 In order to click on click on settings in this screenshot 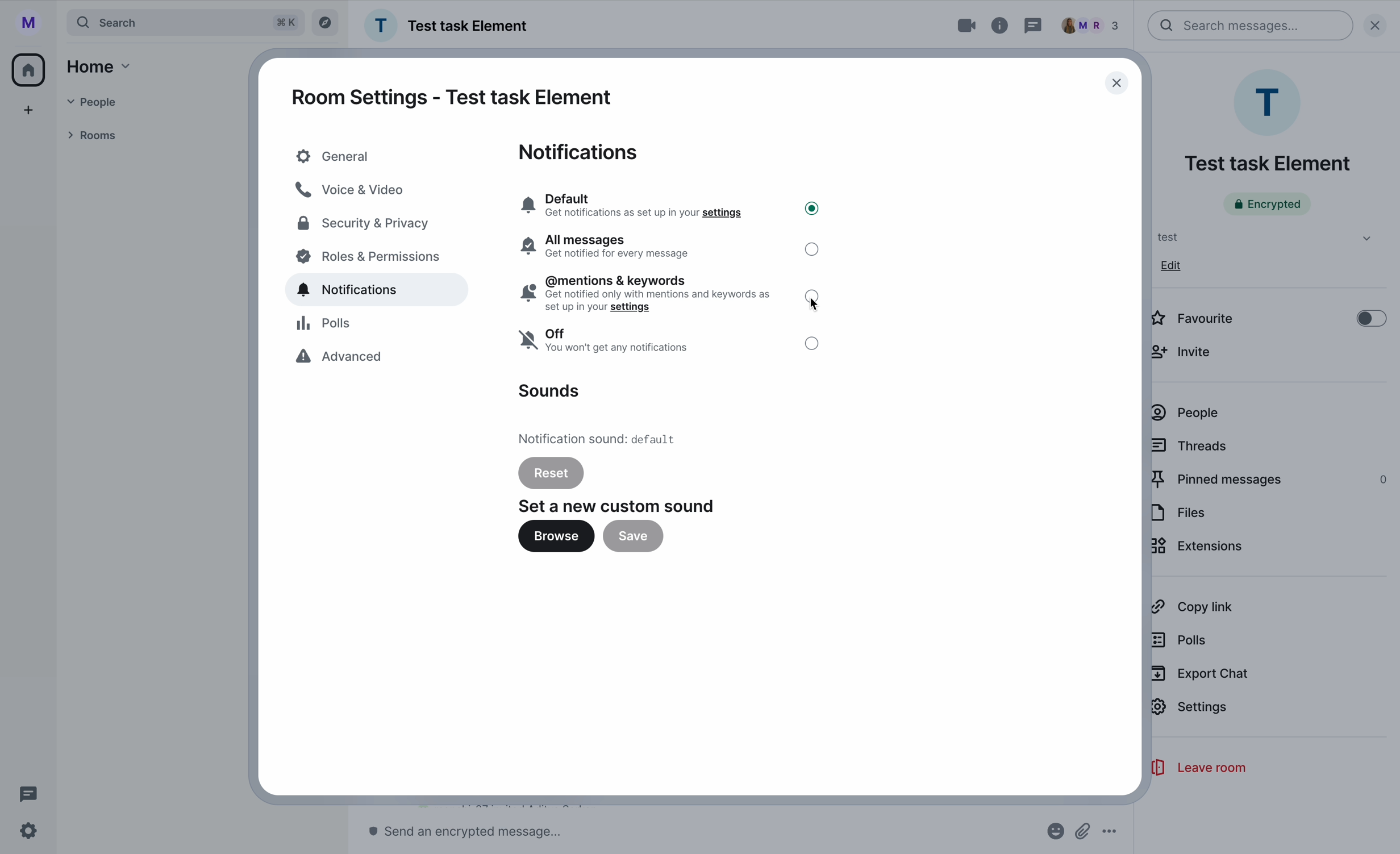, I will do `click(1191, 713)`.